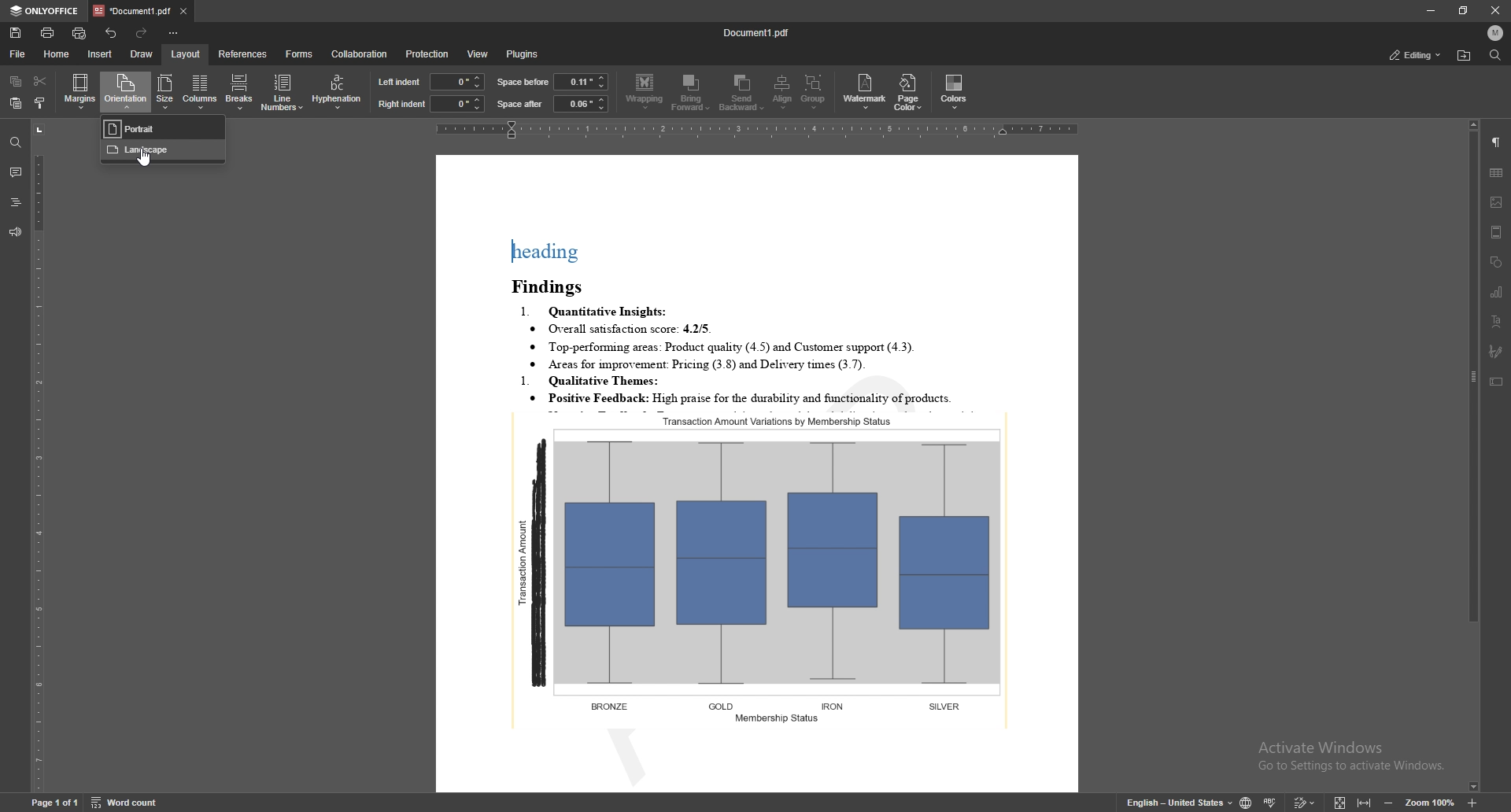 This screenshot has height=812, width=1511. I want to click on headings, so click(15, 201).